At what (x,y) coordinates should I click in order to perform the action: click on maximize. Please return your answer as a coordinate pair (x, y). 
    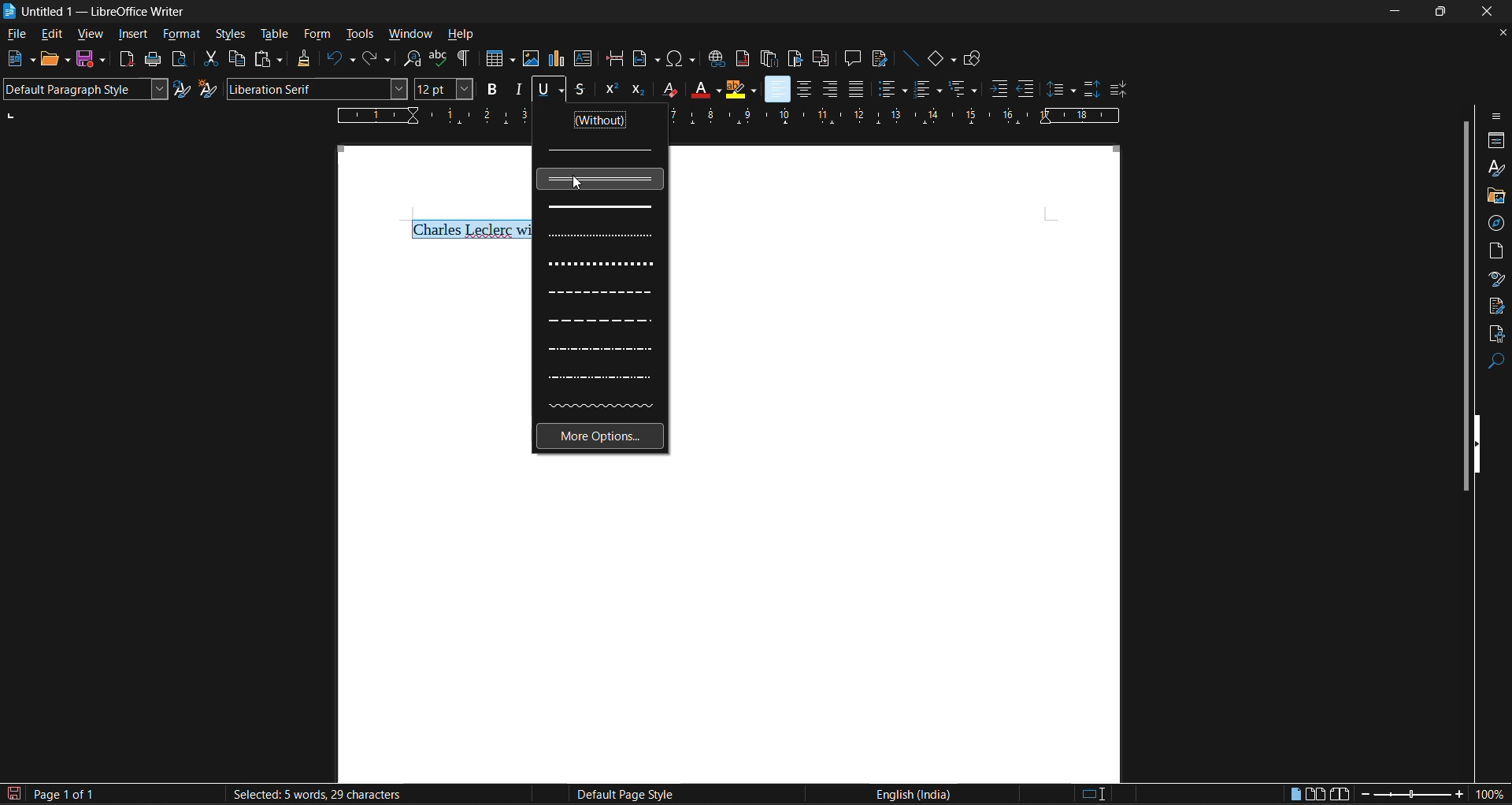
    Looking at the image, I should click on (1443, 10).